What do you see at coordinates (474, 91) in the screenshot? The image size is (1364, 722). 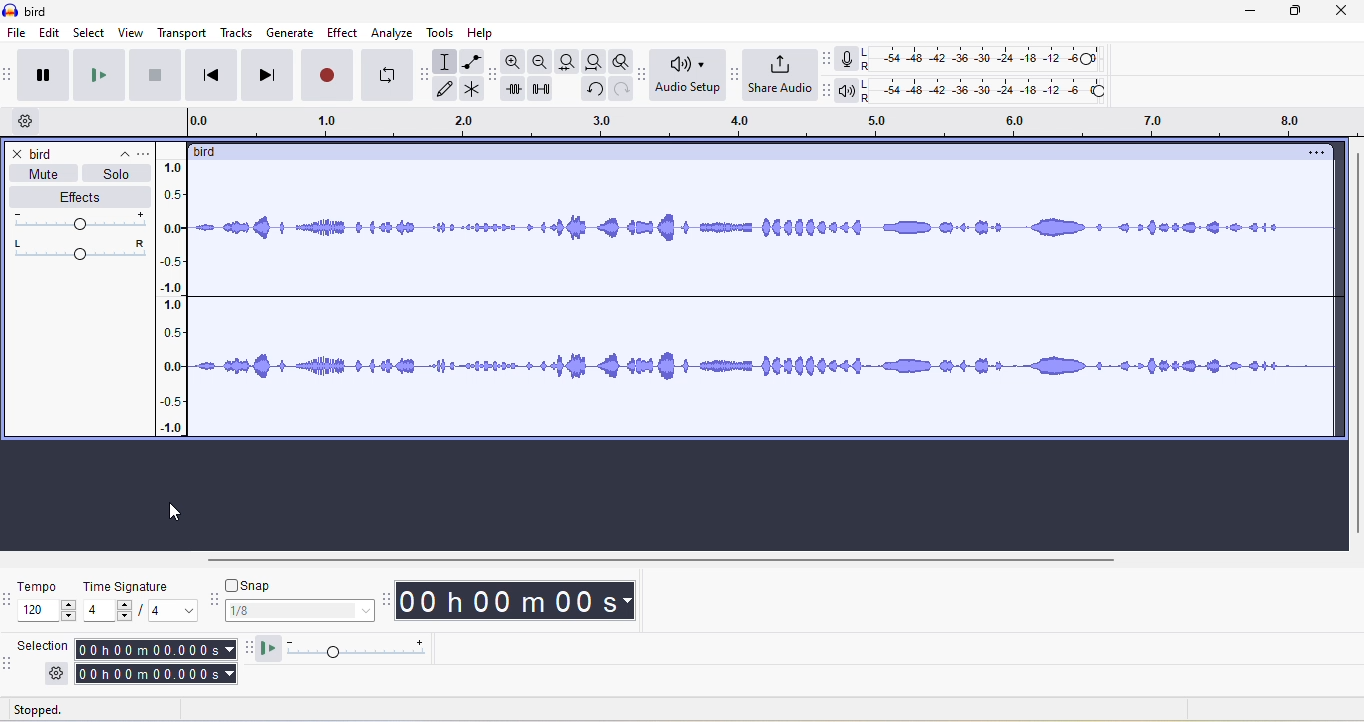 I see `multi tool` at bounding box center [474, 91].